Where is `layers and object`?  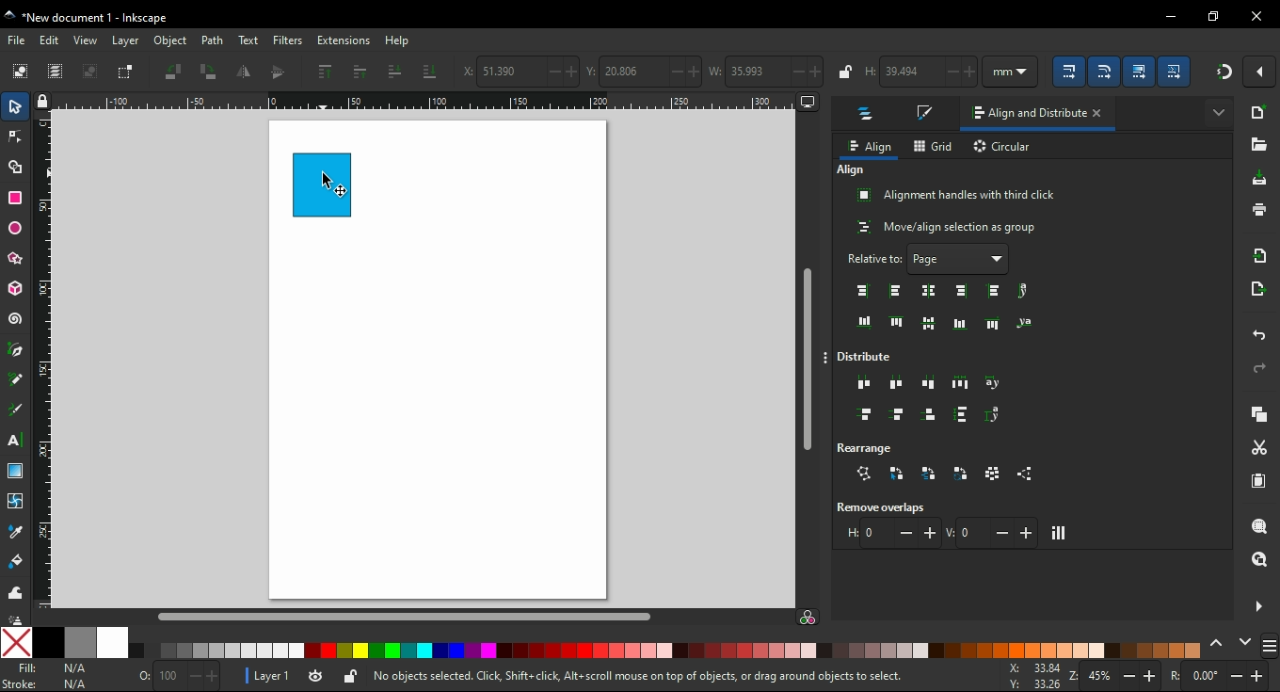 layers and object is located at coordinates (868, 116).